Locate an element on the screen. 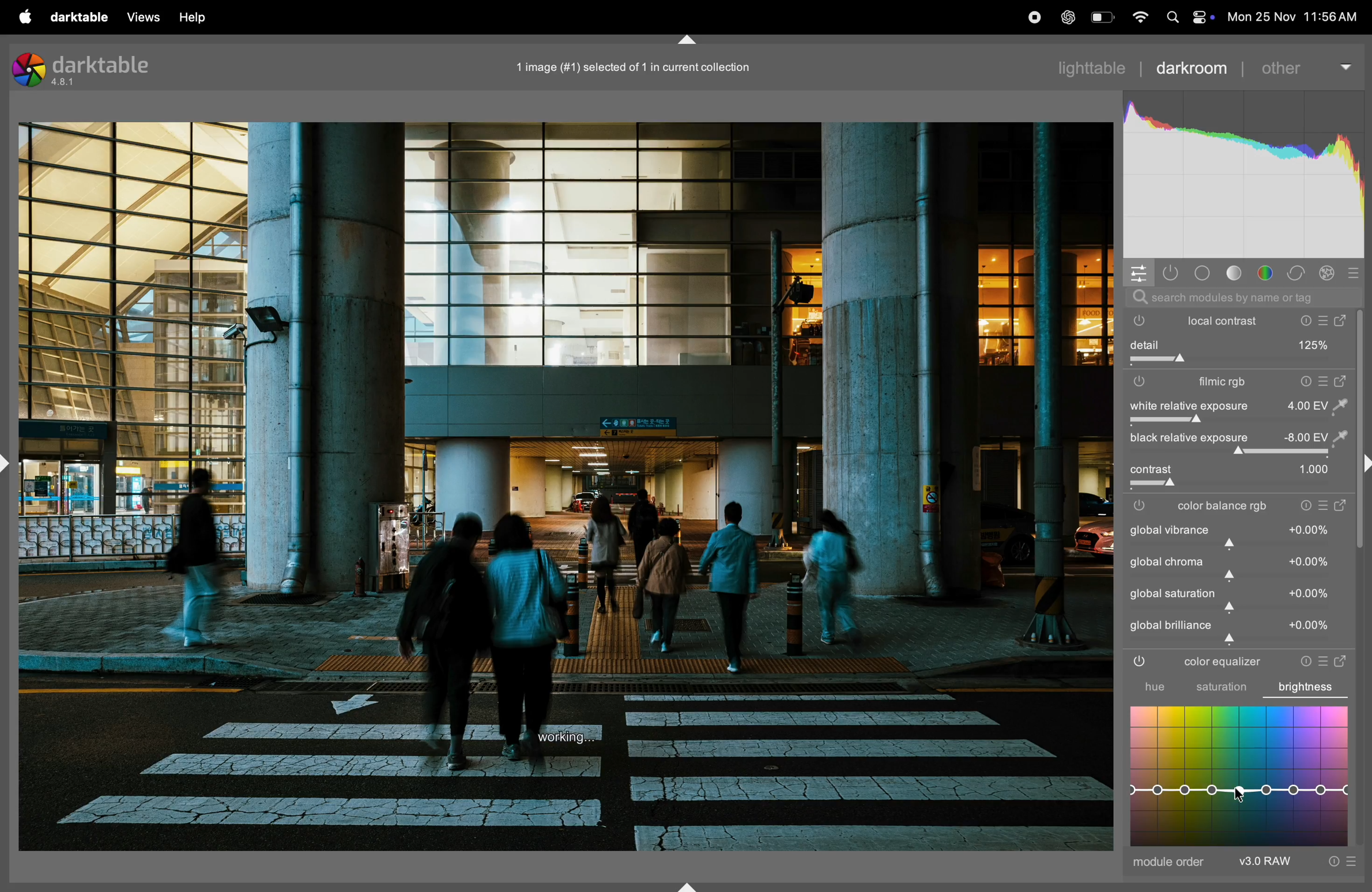  filmic rgb switch off is located at coordinates (1140, 381).